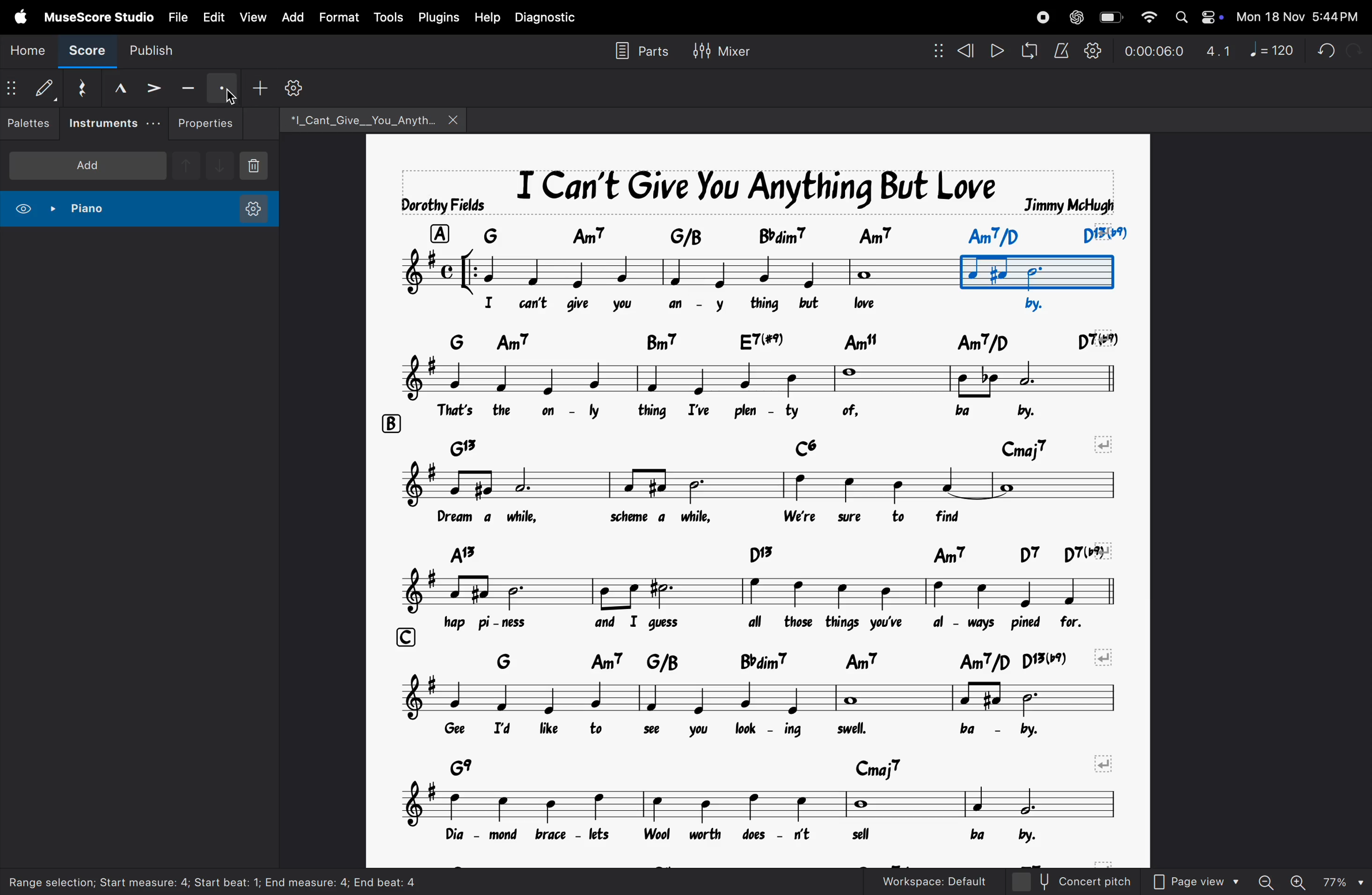  What do you see at coordinates (1094, 51) in the screenshot?
I see `playback settings` at bounding box center [1094, 51].